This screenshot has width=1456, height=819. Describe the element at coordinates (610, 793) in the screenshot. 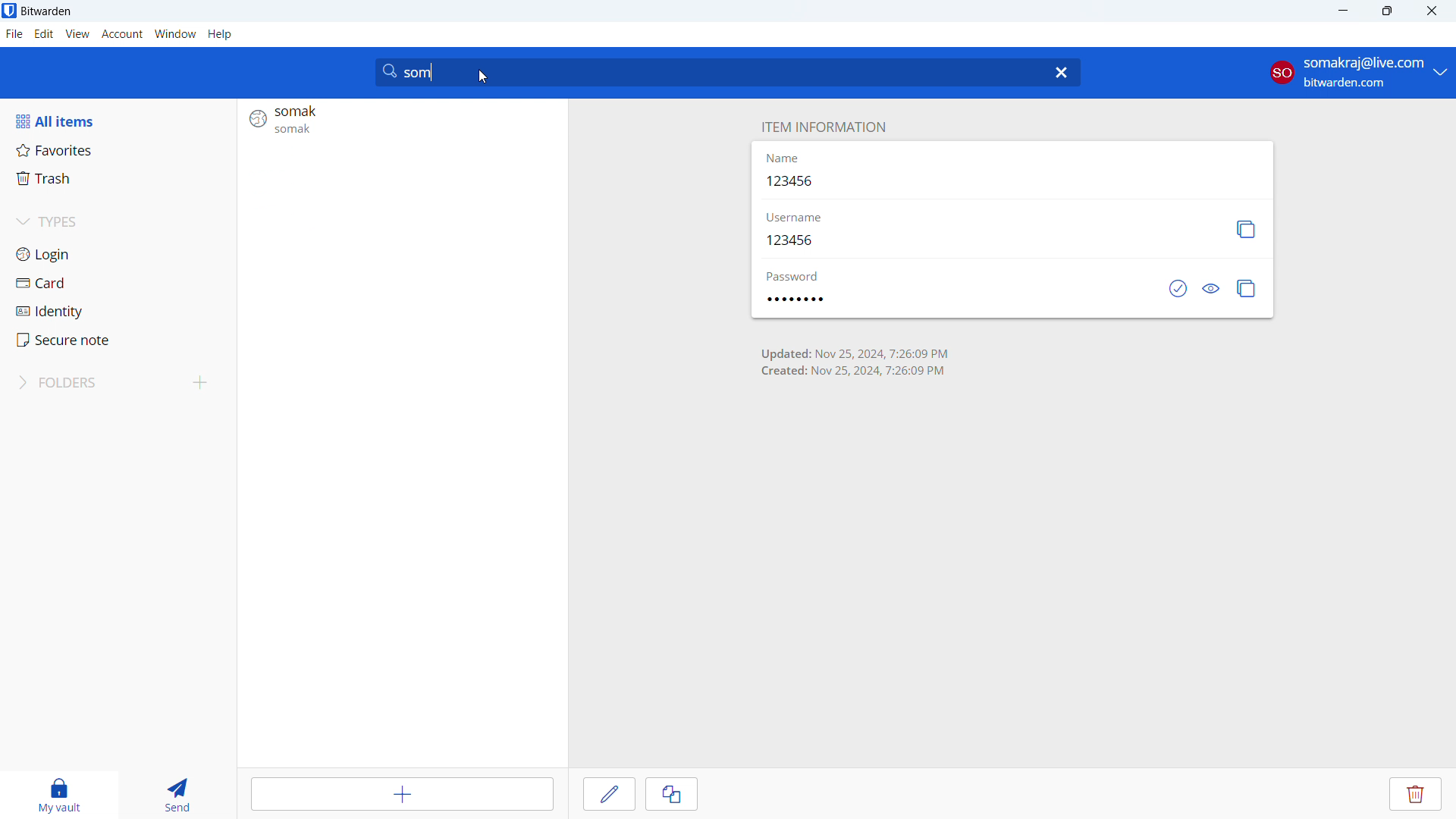

I see `edit` at that location.